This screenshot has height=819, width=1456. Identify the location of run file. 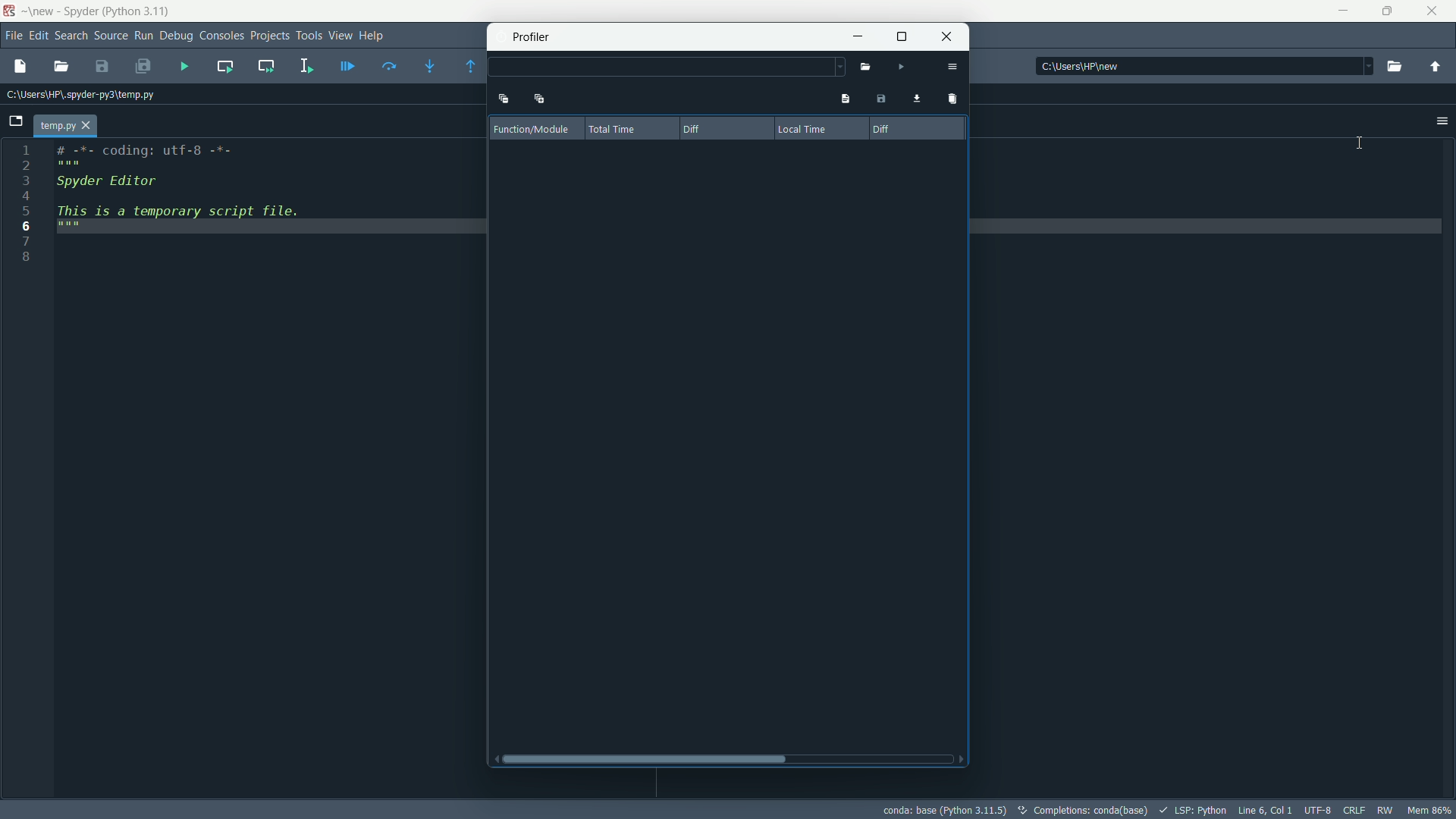
(184, 65).